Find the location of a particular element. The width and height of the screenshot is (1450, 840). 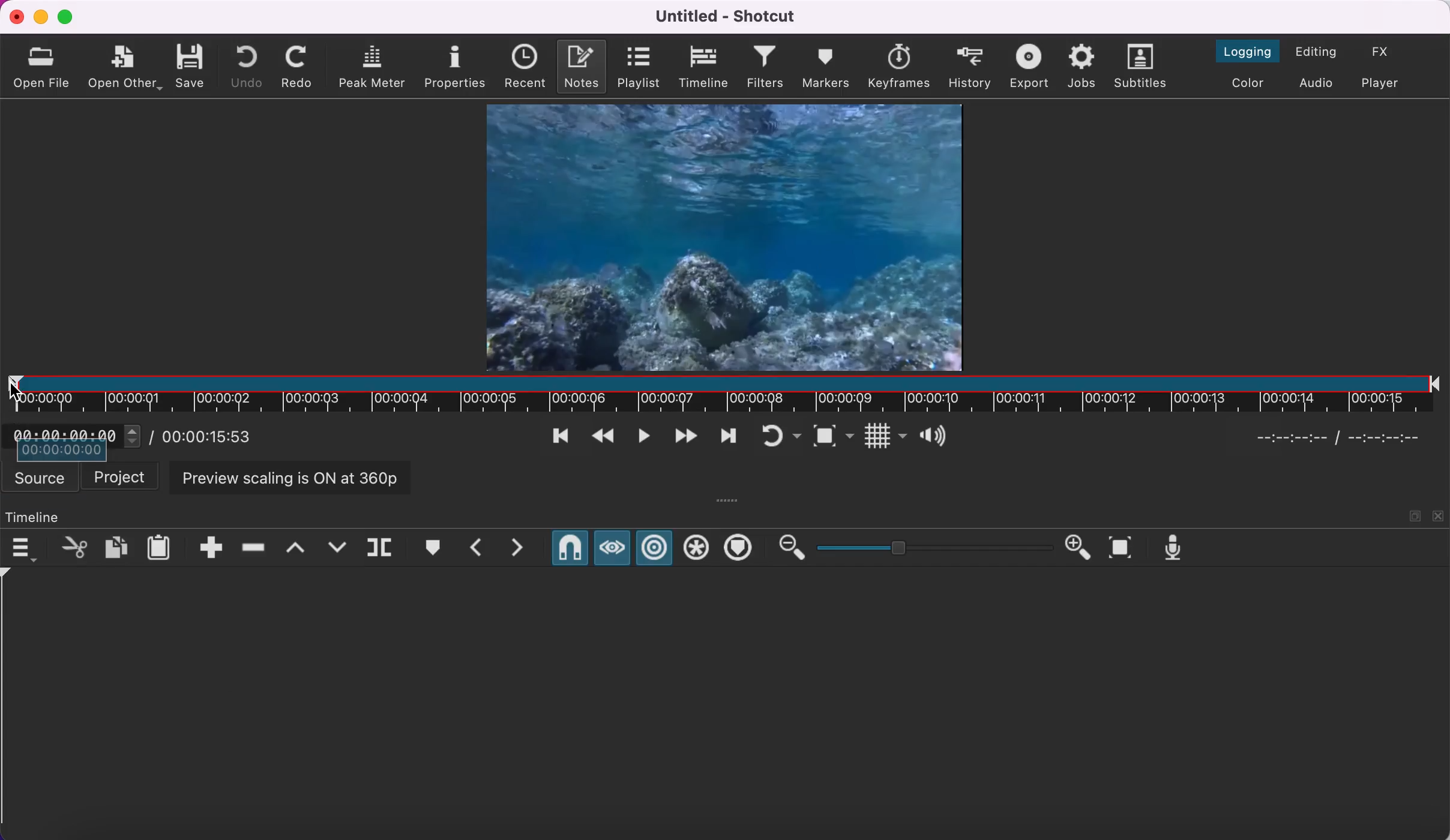

split at playhead is located at coordinates (380, 547).